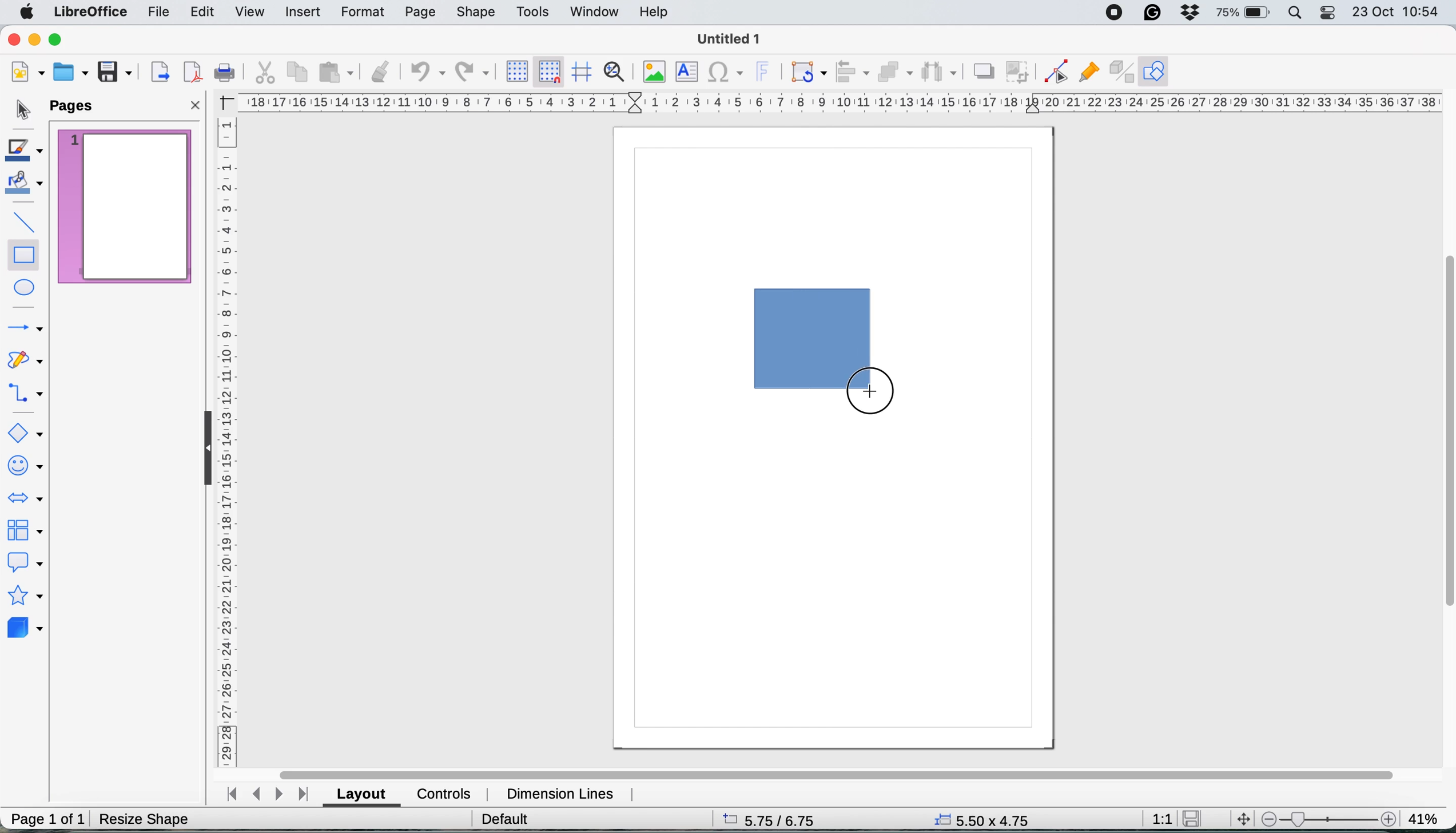  What do you see at coordinates (1296, 13) in the screenshot?
I see `spotlight search` at bounding box center [1296, 13].